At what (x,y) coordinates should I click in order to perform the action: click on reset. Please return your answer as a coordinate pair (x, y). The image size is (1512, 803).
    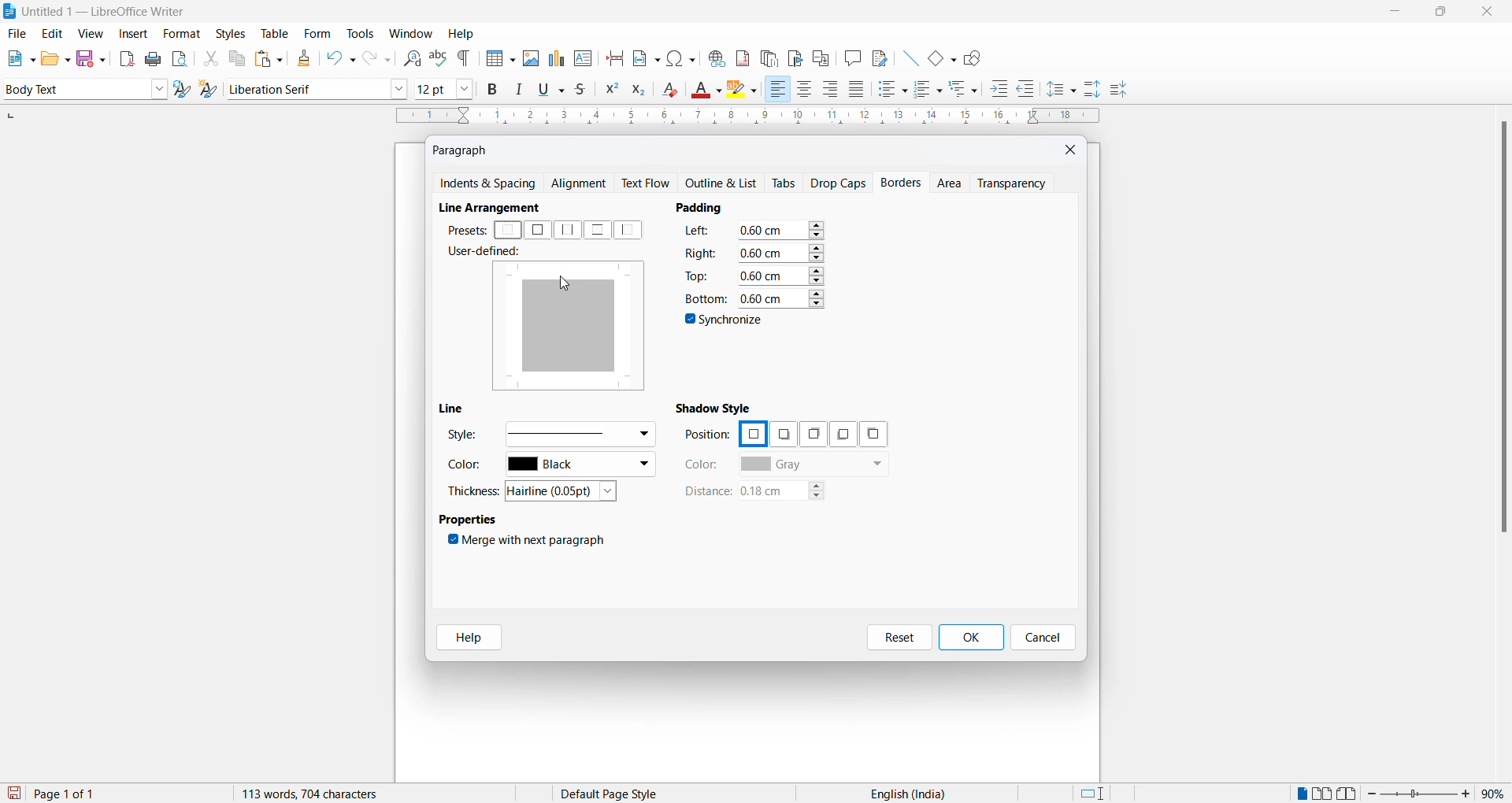
    Looking at the image, I should click on (899, 638).